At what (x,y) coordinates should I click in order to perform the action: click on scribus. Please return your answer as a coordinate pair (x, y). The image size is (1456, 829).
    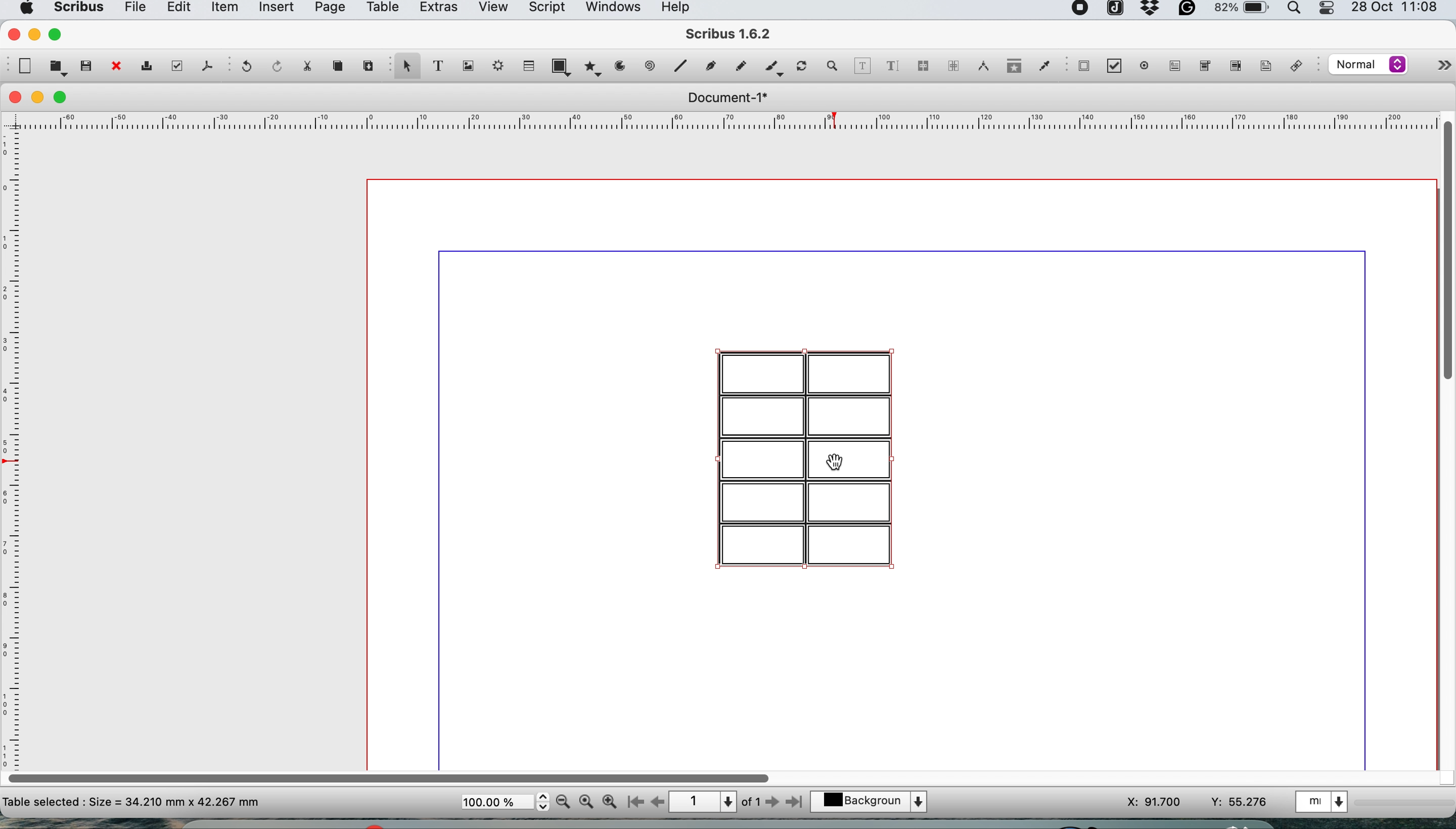
    Looking at the image, I should click on (729, 35).